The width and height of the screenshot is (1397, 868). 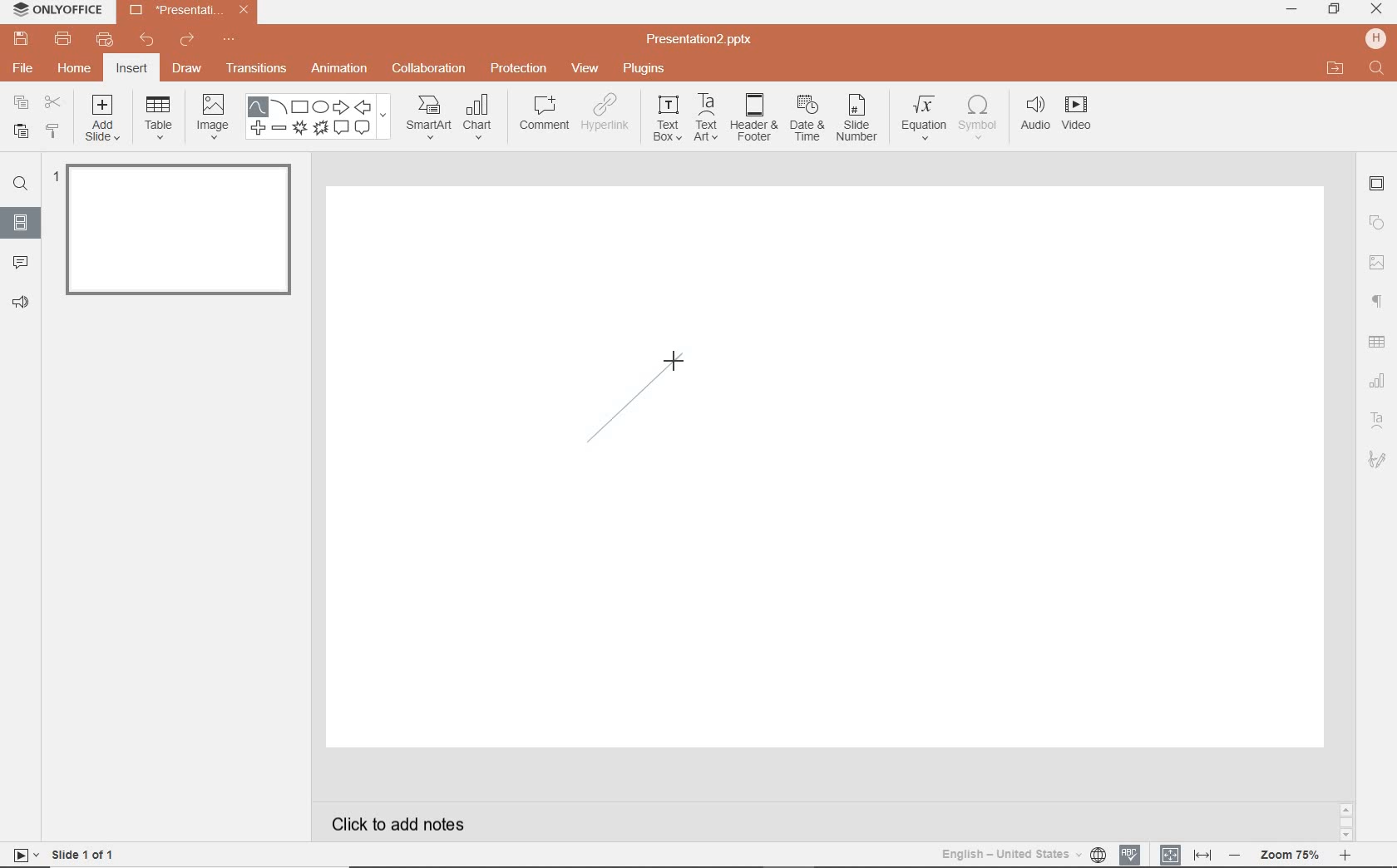 What do you see at coordinates (104, 121) in the screenshot?
I see `ADD SLIDE` at bounding box center [104, 121].